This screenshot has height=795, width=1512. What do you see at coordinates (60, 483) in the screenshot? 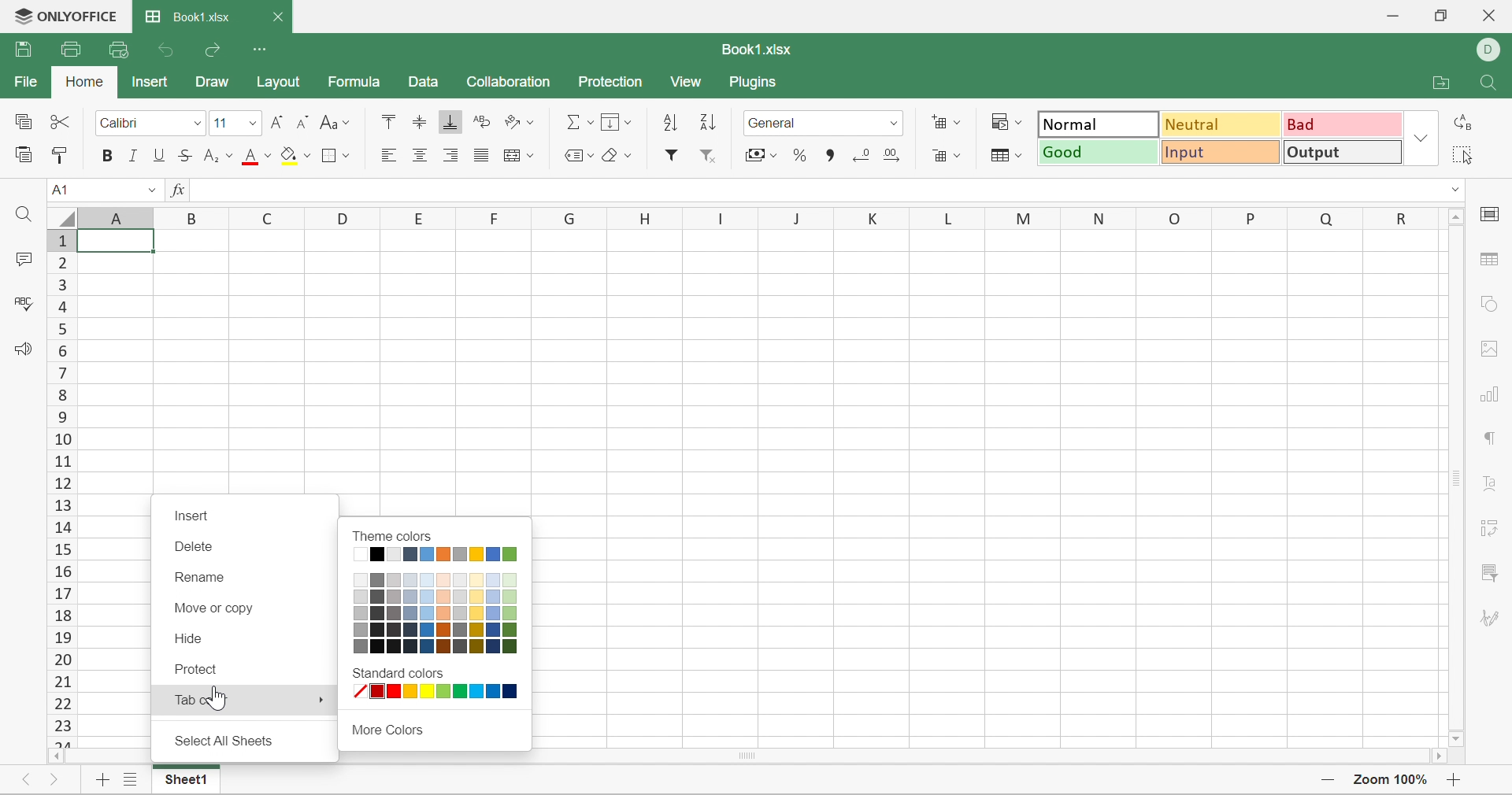
I see `12` at bounding box center [60, 483].